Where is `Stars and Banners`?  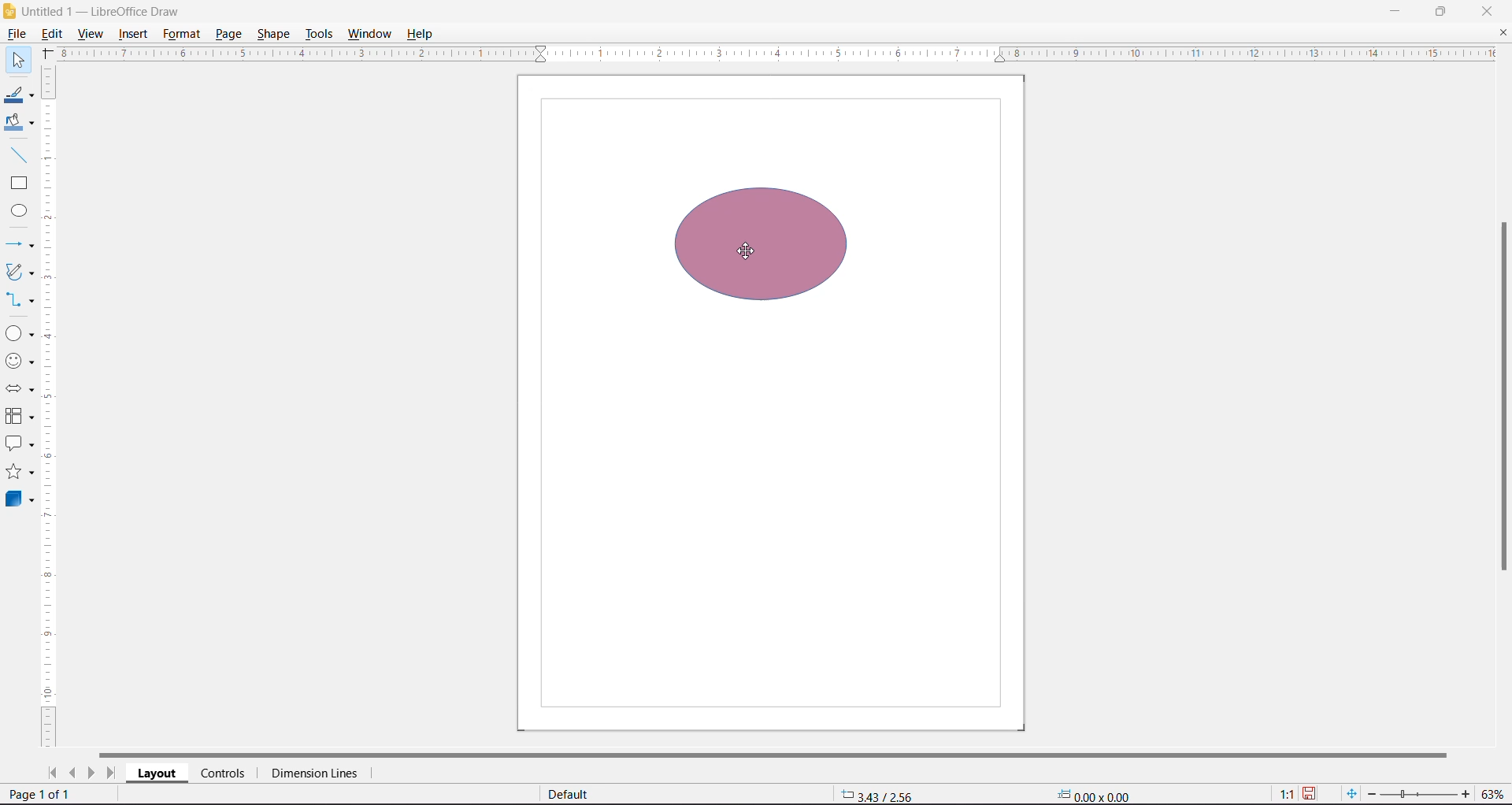 Stars and Banners is located at coordinates (20, 471).